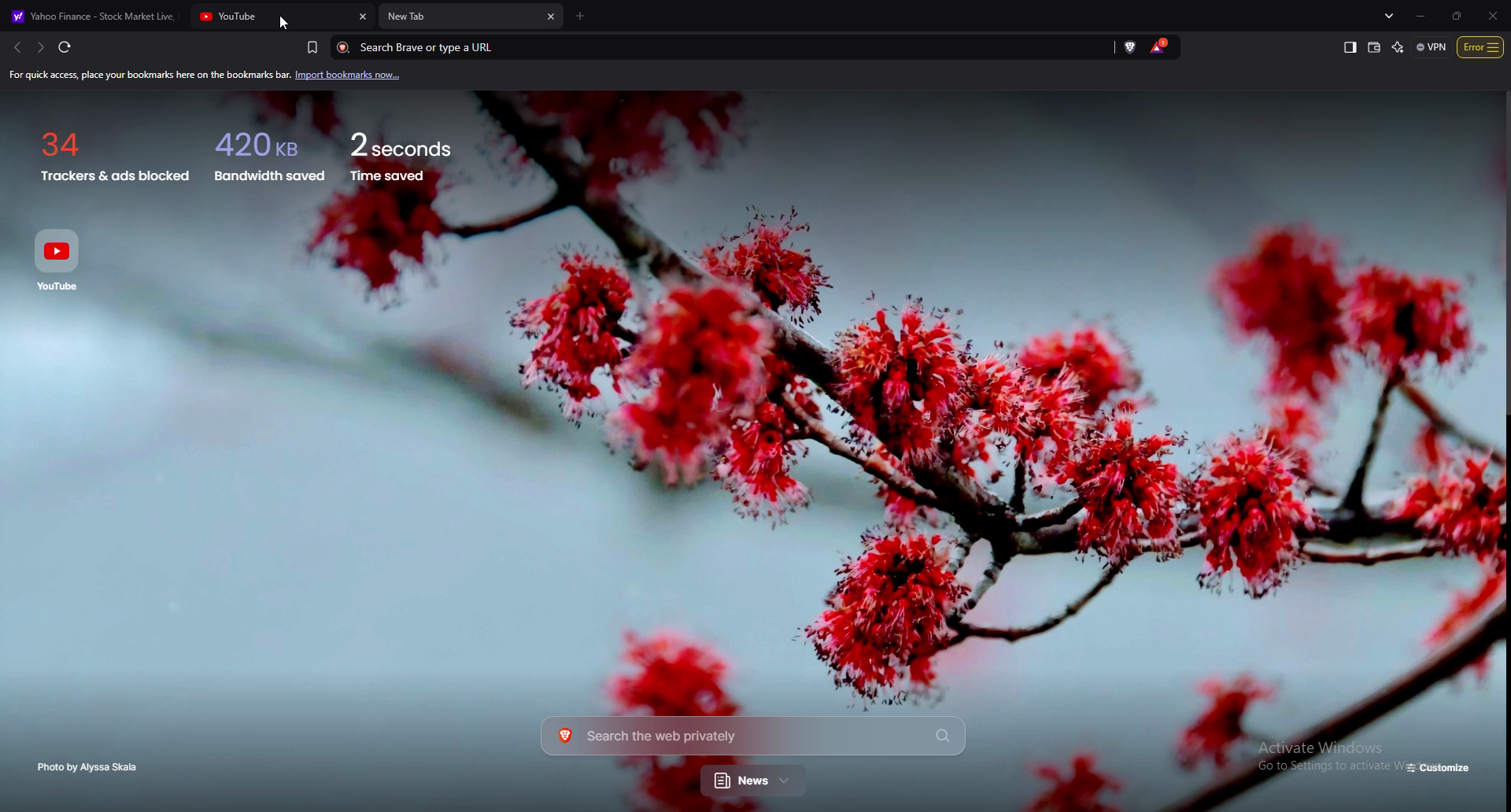 The height and width of the screenshot is (812, 1511). What do you see at coordinates (15, 47) in the screenshot?
I see `back` at bounding box center [15, 47].